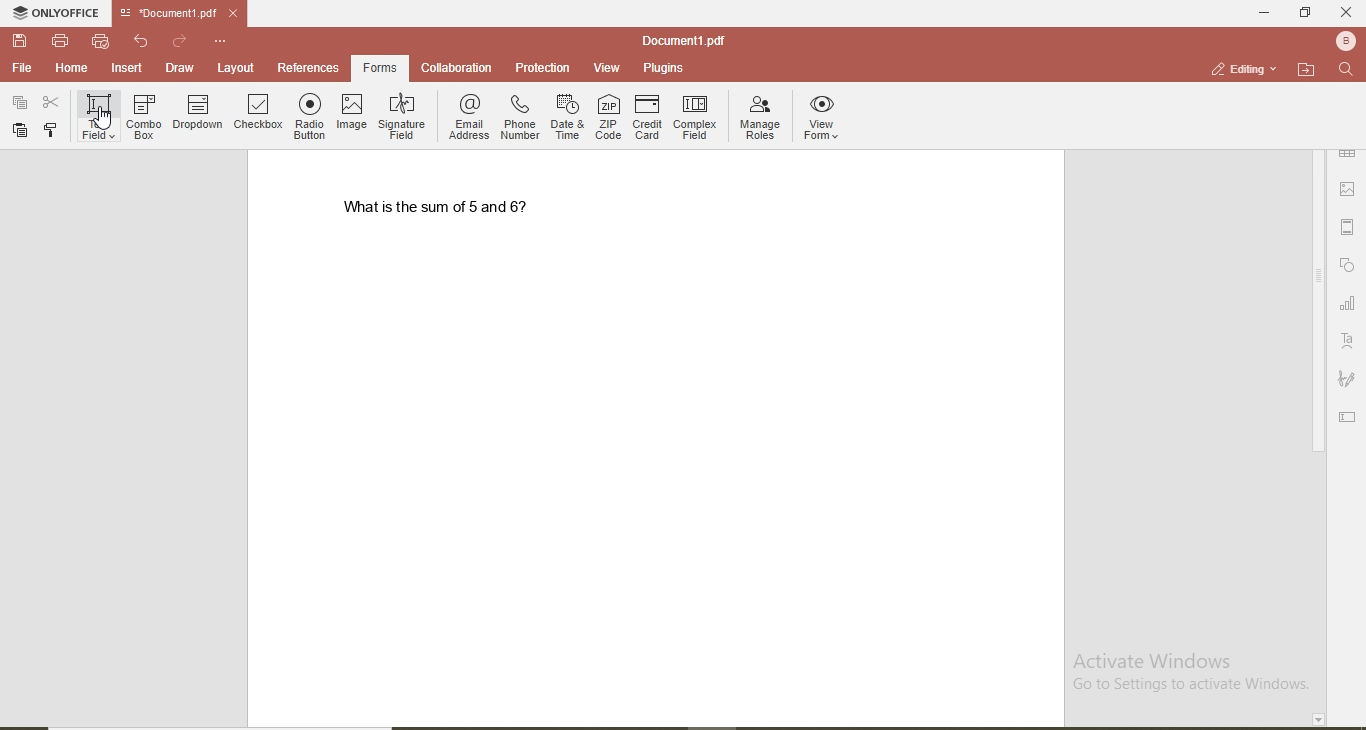 This screenshot has width=1366, height=730. I want to click on highlighted, so click(382, 68).